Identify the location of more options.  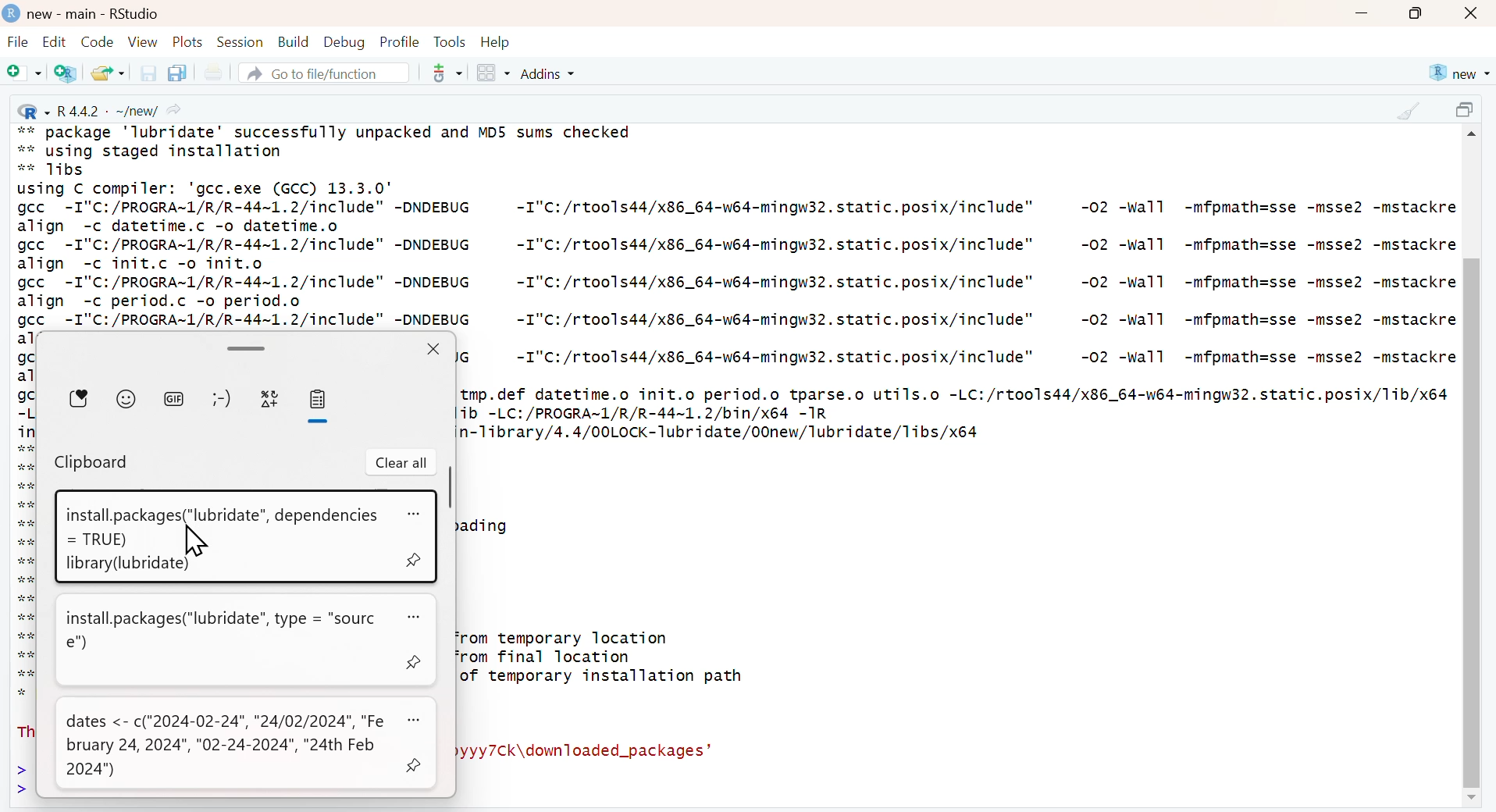
(416, 515).